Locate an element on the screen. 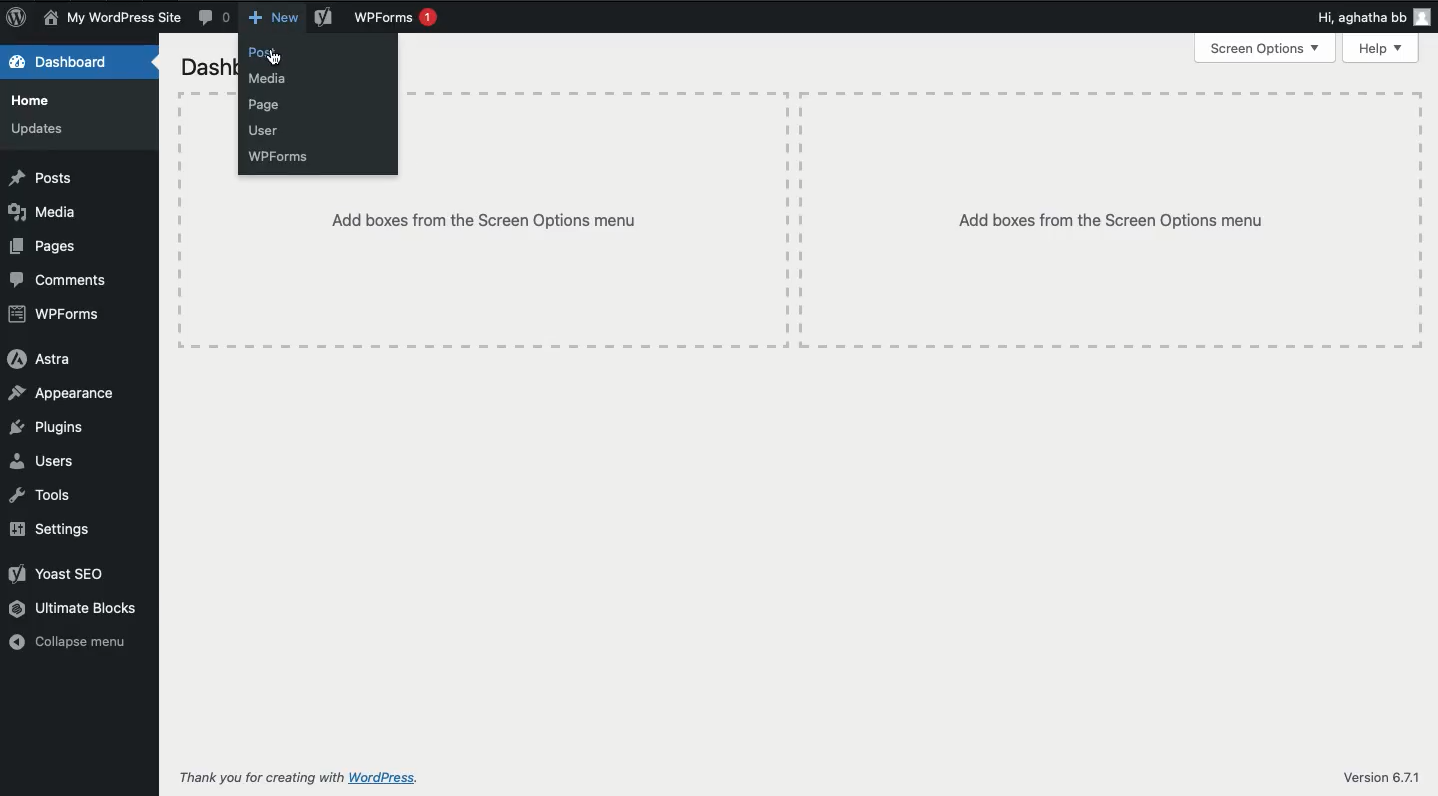  Appearance is located at coordinates (70, 395).